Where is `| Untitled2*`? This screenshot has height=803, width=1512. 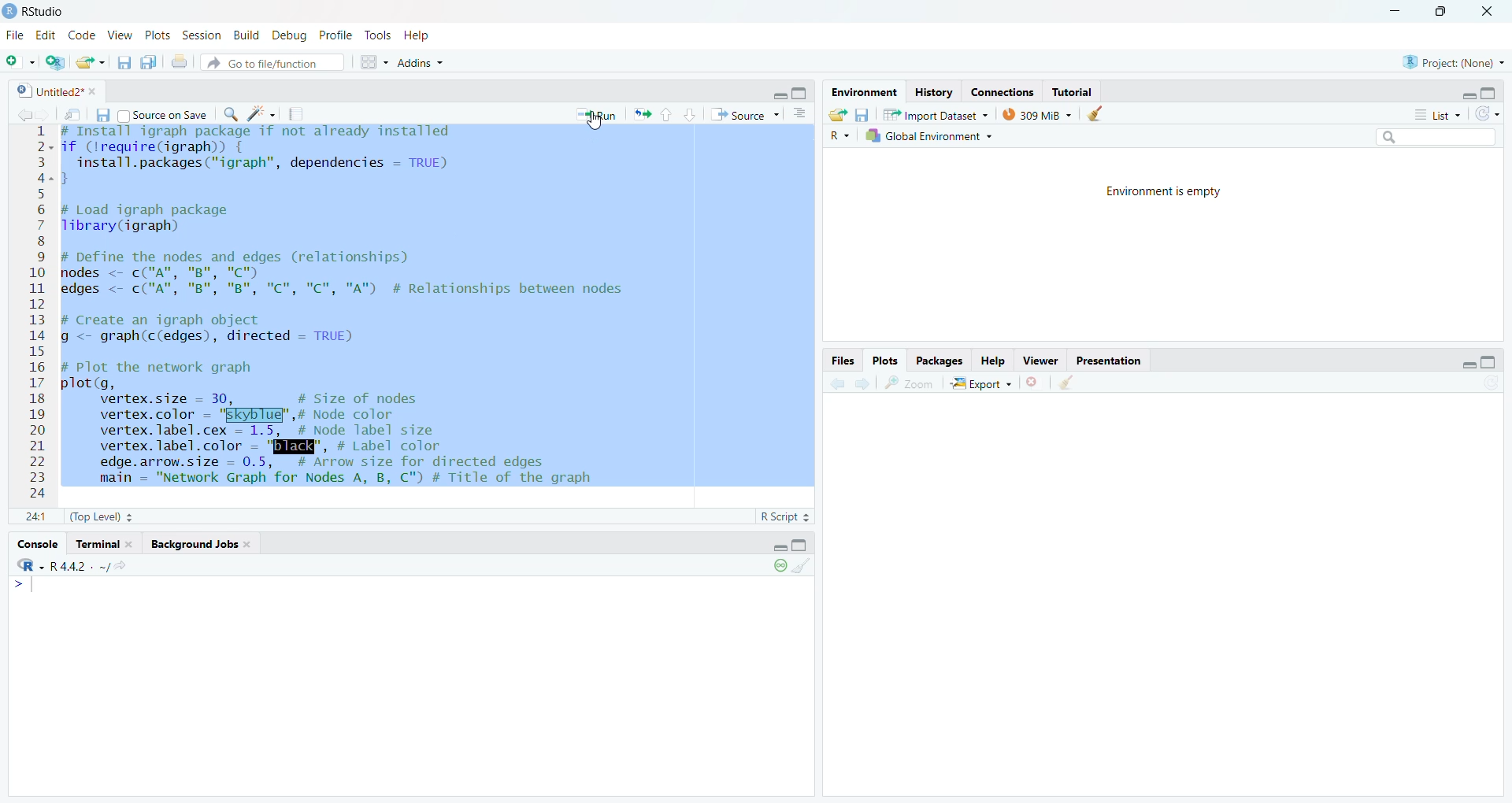 | Untitled2* is located at coordinates (50, 92).